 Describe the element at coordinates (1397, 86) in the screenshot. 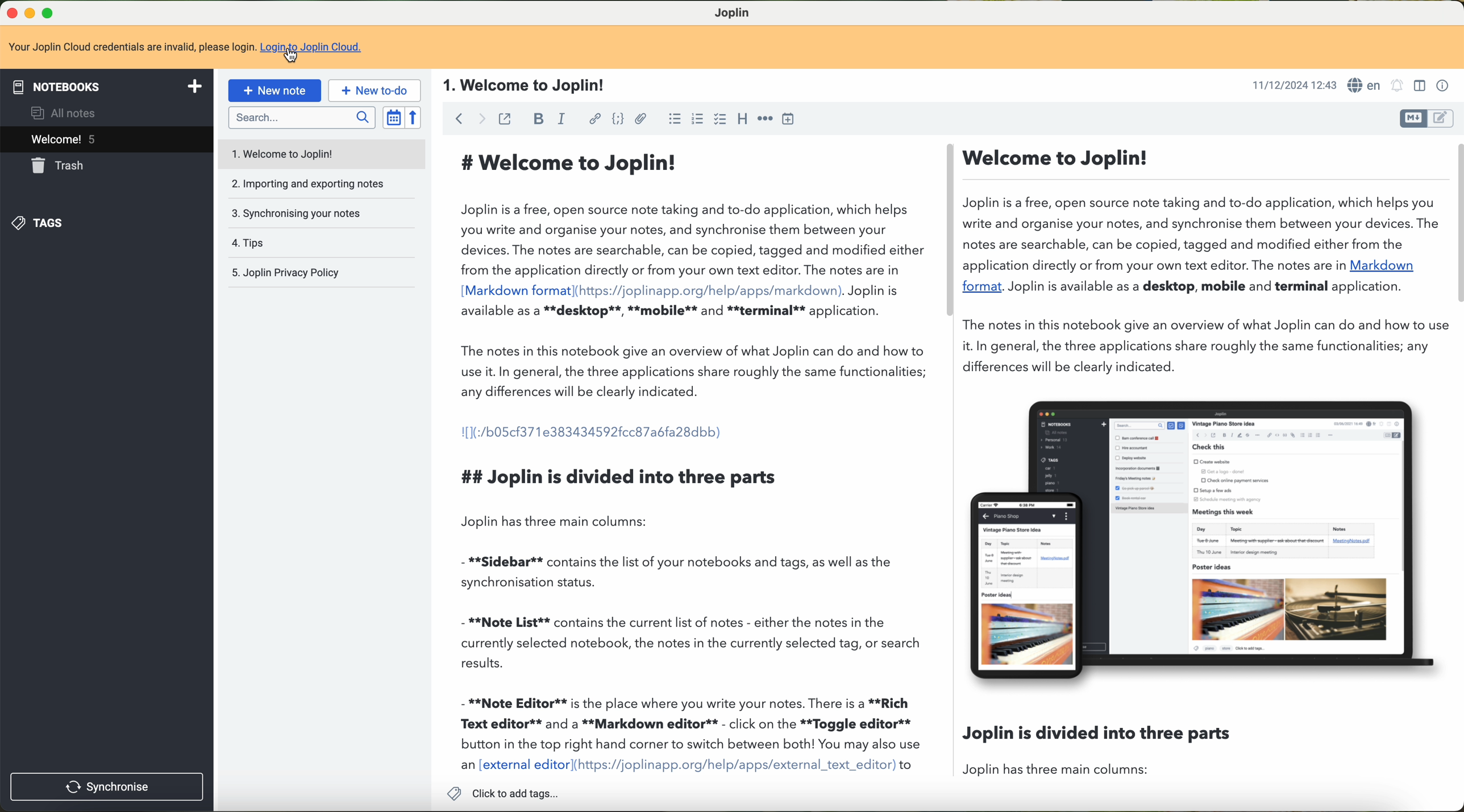

I see `set alarm` at that location.